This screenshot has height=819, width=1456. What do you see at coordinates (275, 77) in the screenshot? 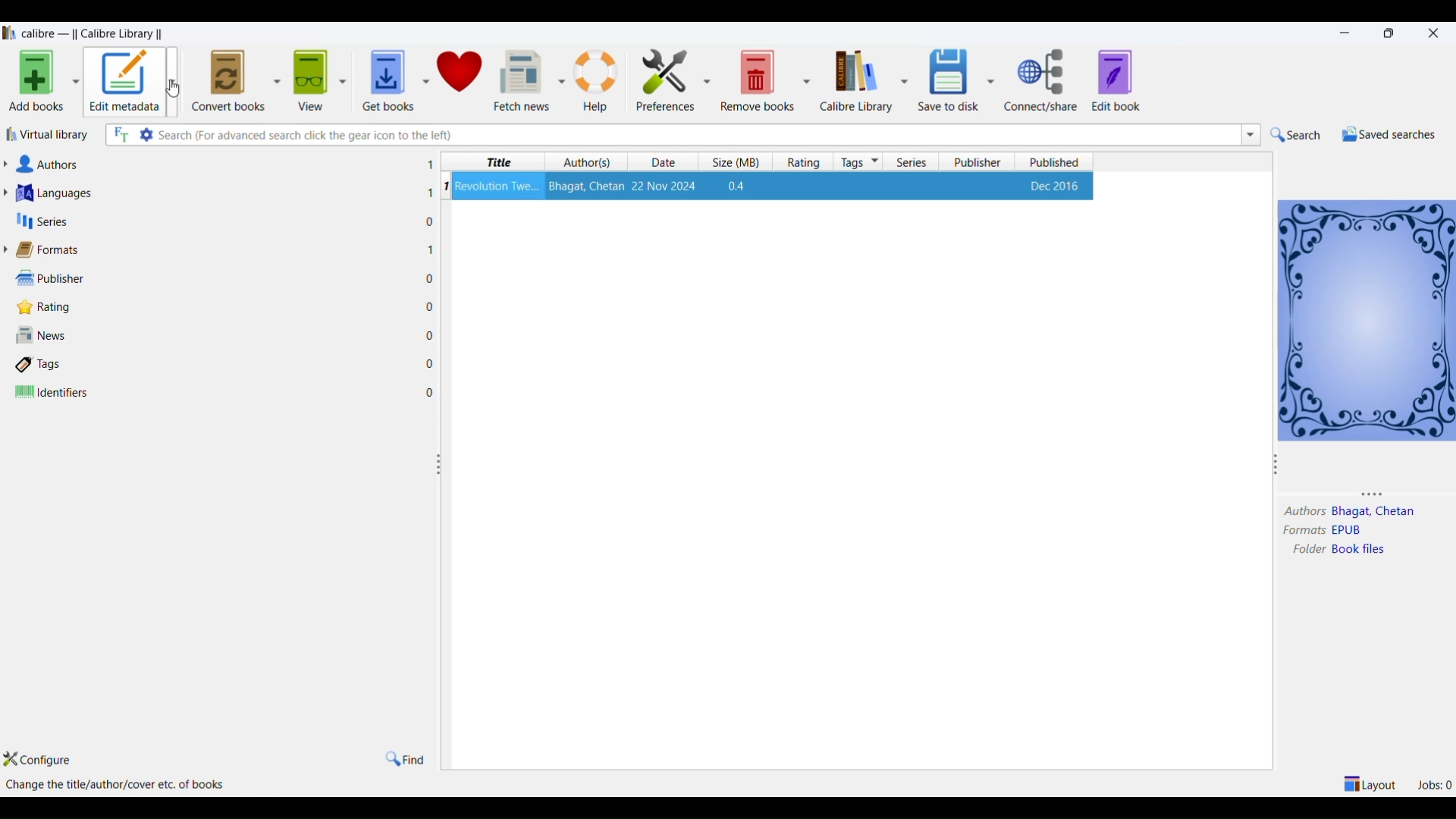
I see `convert books options dropdown button` at bounding box center [275, 77].